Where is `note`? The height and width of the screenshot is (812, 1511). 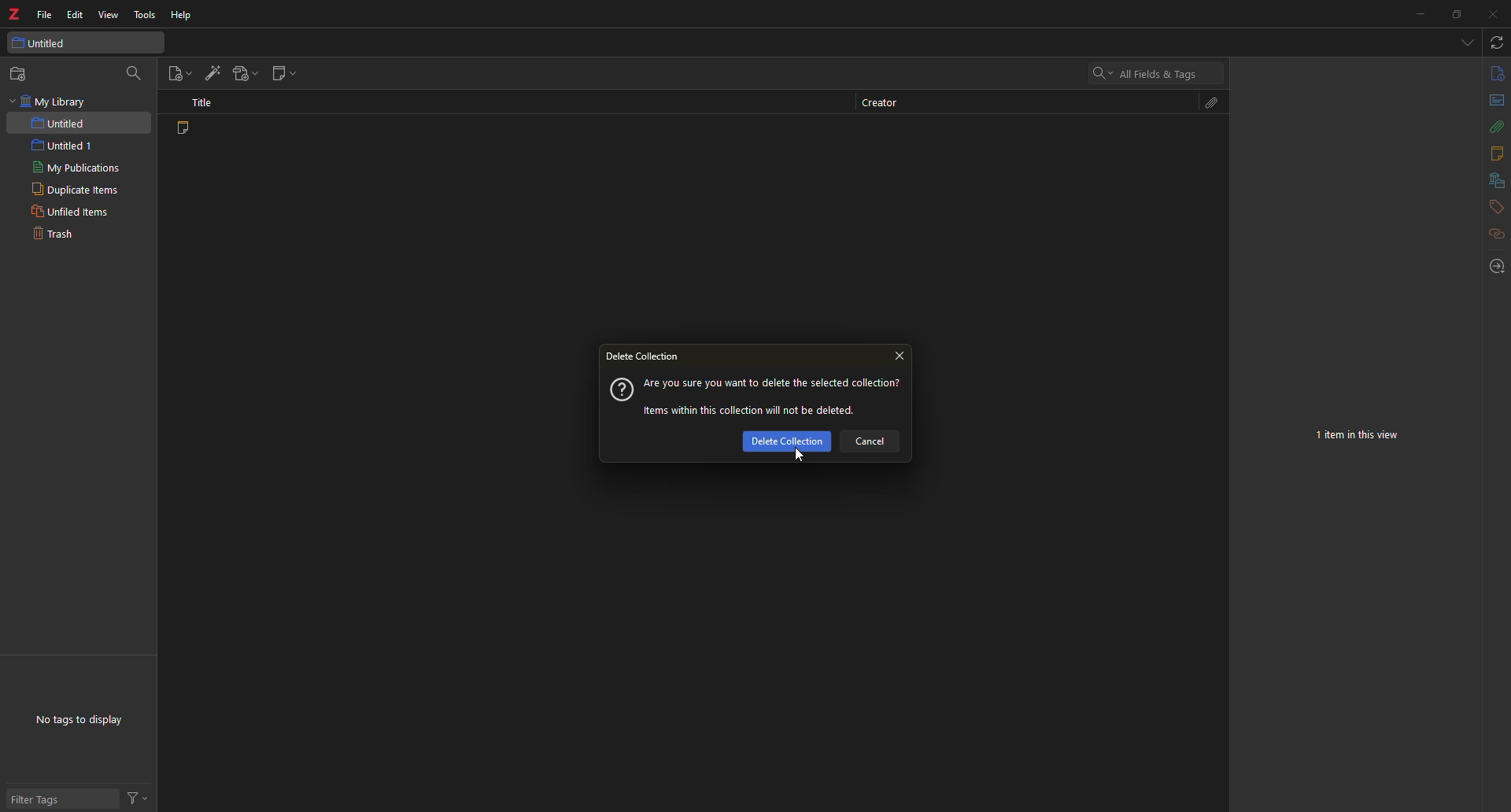 note is located at coordinates (182, 127).